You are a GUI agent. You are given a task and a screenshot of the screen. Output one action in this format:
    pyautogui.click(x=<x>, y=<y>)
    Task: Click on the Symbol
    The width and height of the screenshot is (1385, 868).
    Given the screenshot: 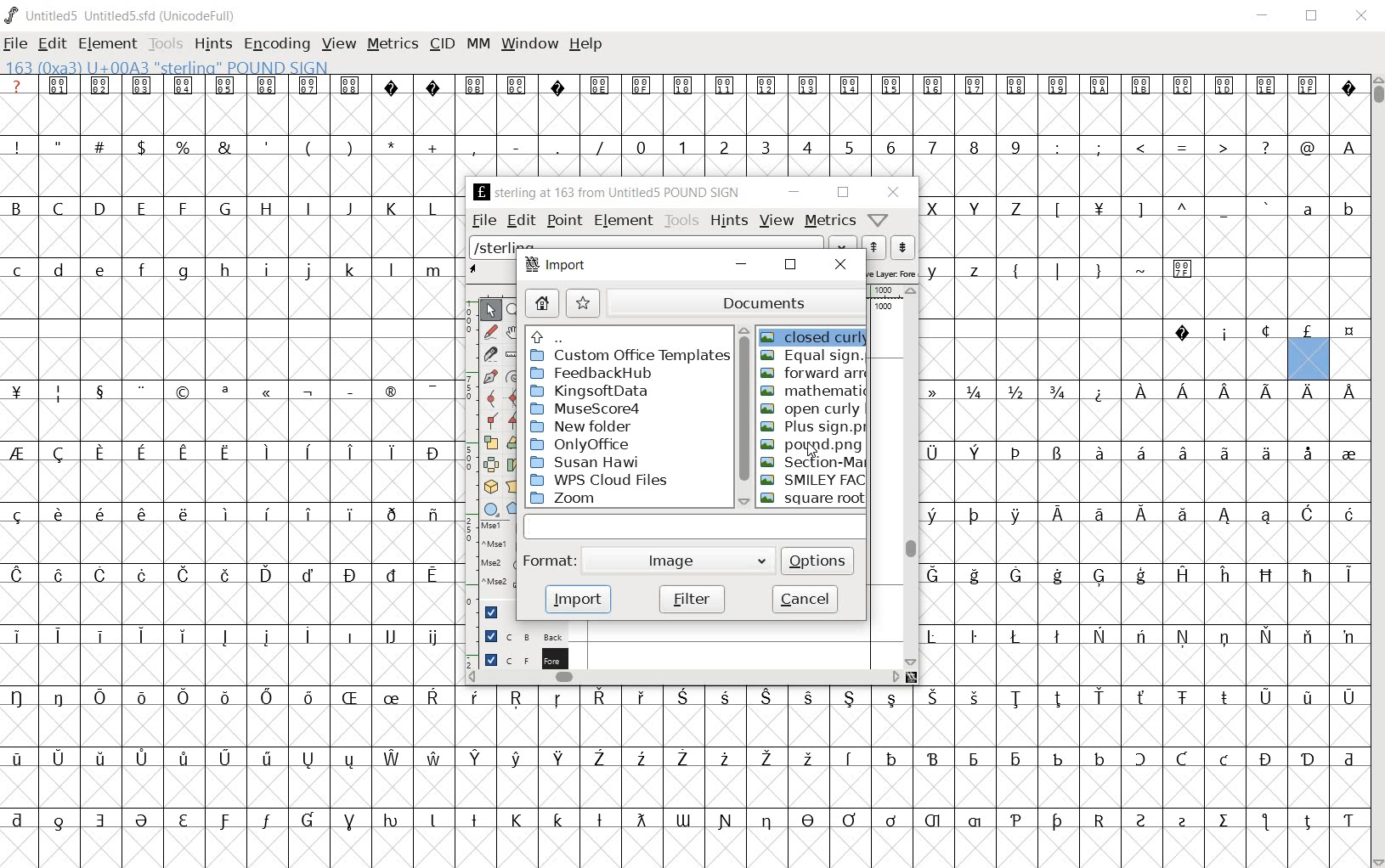 What is the action you would take?
    pyautogui.click(x=1226, y=637)
    